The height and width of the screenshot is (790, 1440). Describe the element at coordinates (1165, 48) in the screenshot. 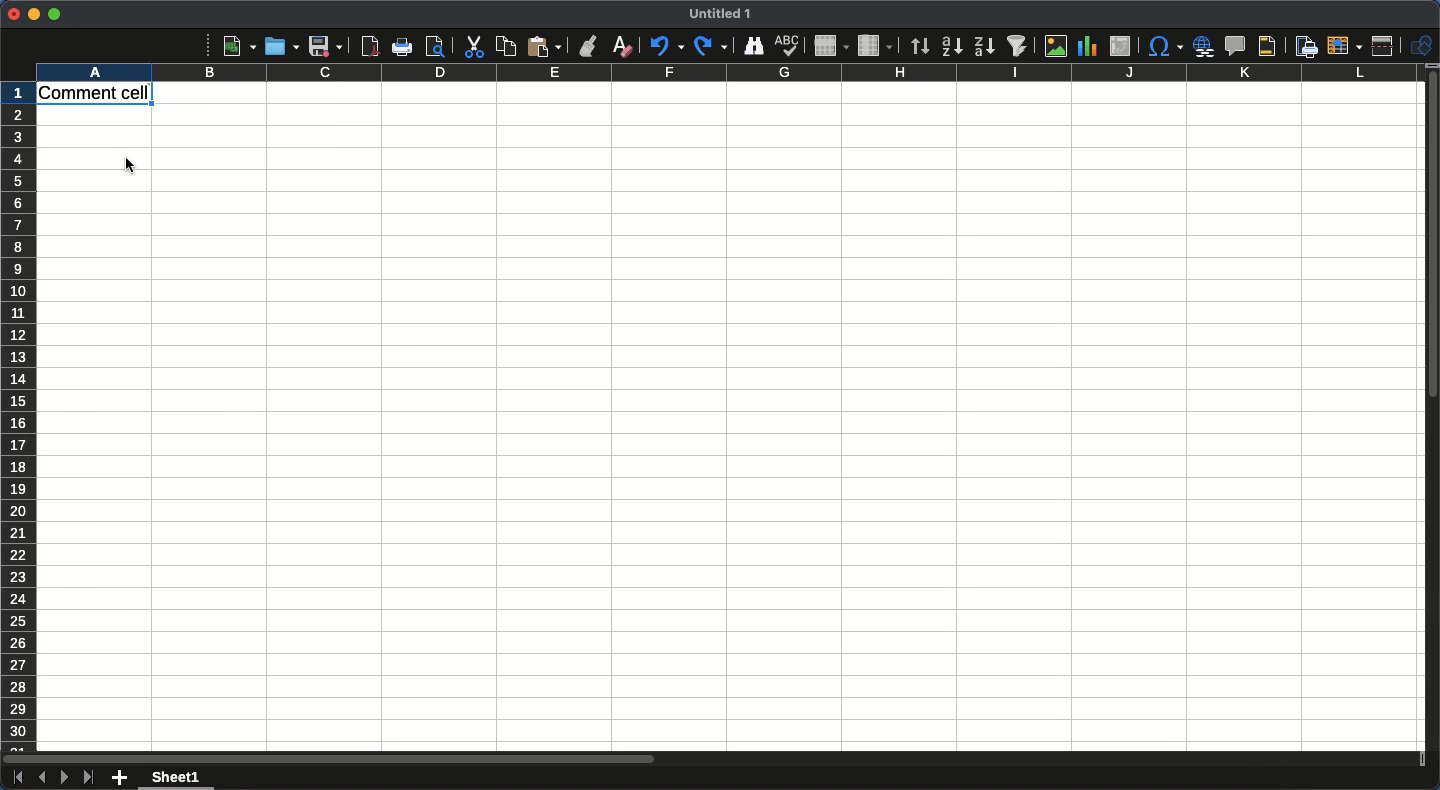

I see `Character` at that location.